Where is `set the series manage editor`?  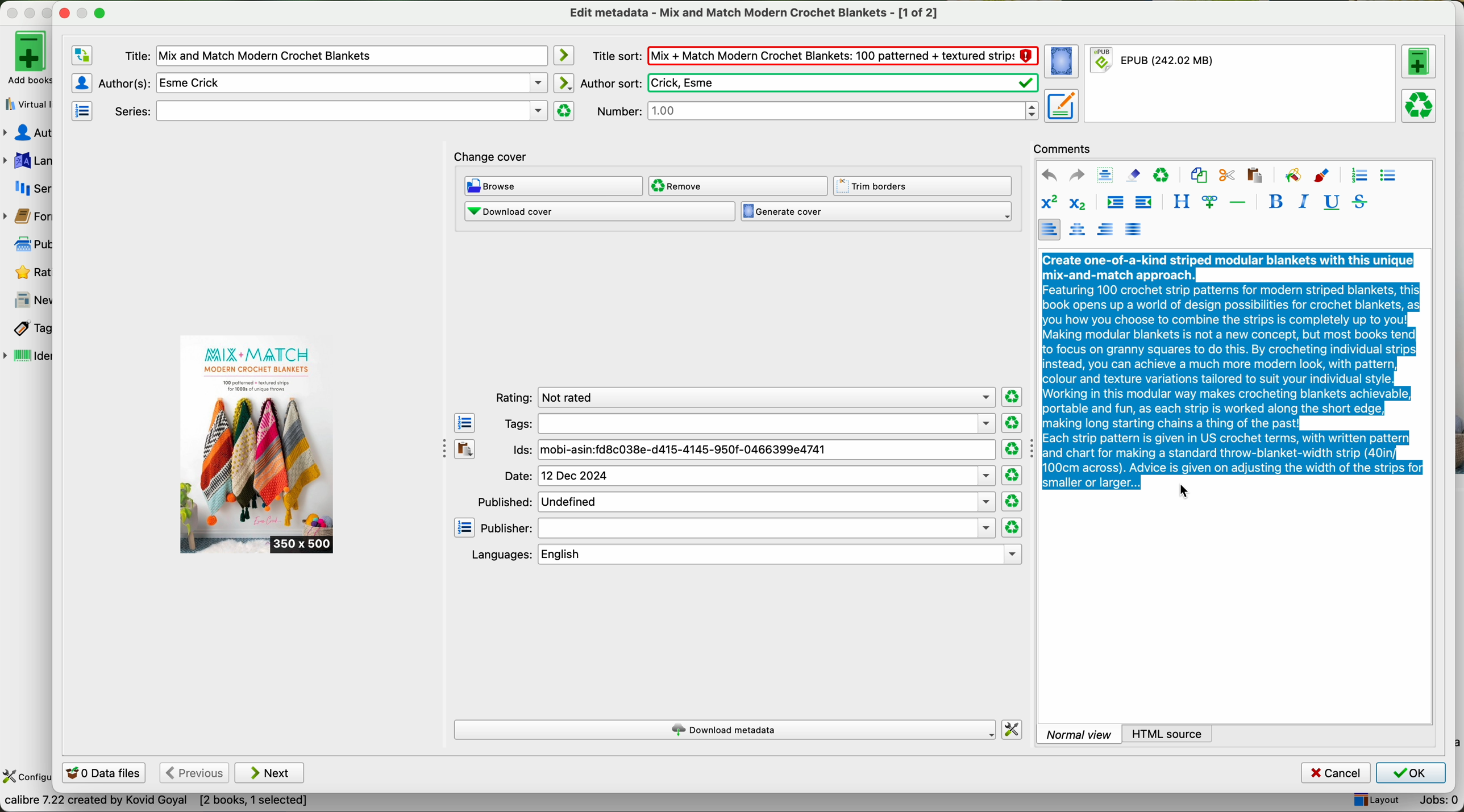
set the series manage editor is located at coordinates (81, 110).